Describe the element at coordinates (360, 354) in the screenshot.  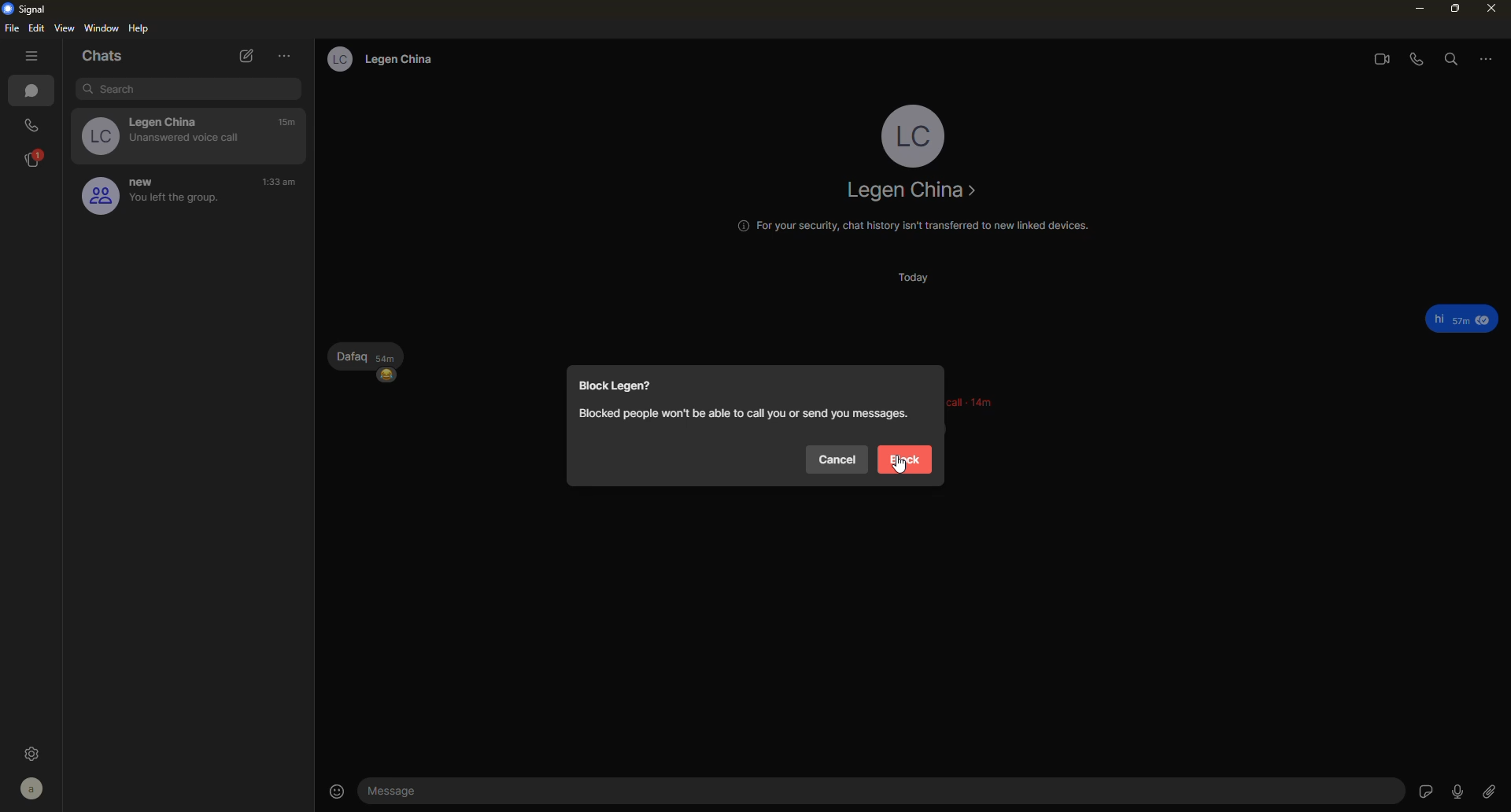
I see `Dafaq sam` at that location.